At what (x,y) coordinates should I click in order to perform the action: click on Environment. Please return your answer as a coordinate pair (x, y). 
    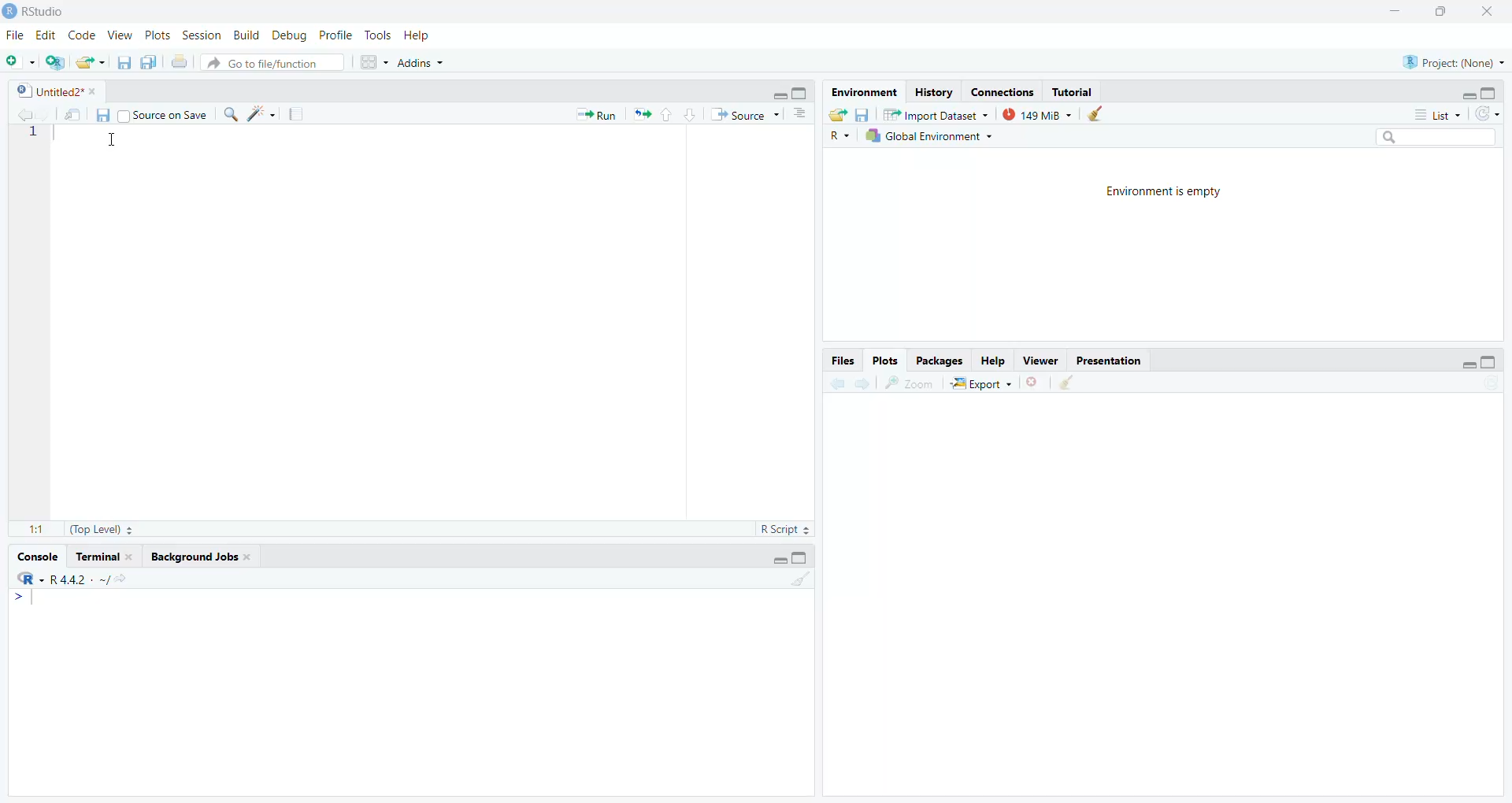
    Looking at the image, I should click on (864, 92).